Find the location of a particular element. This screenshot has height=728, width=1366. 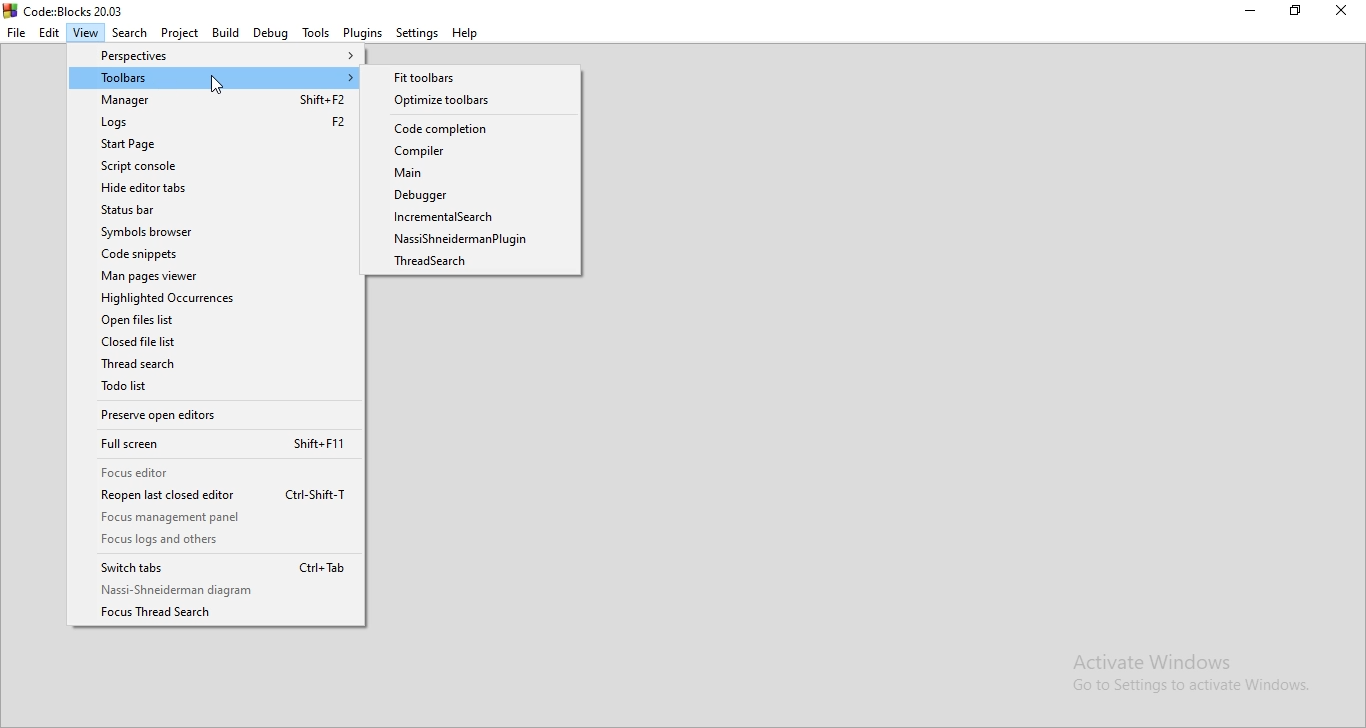

Closed file list is located at coordinates (218, 344).